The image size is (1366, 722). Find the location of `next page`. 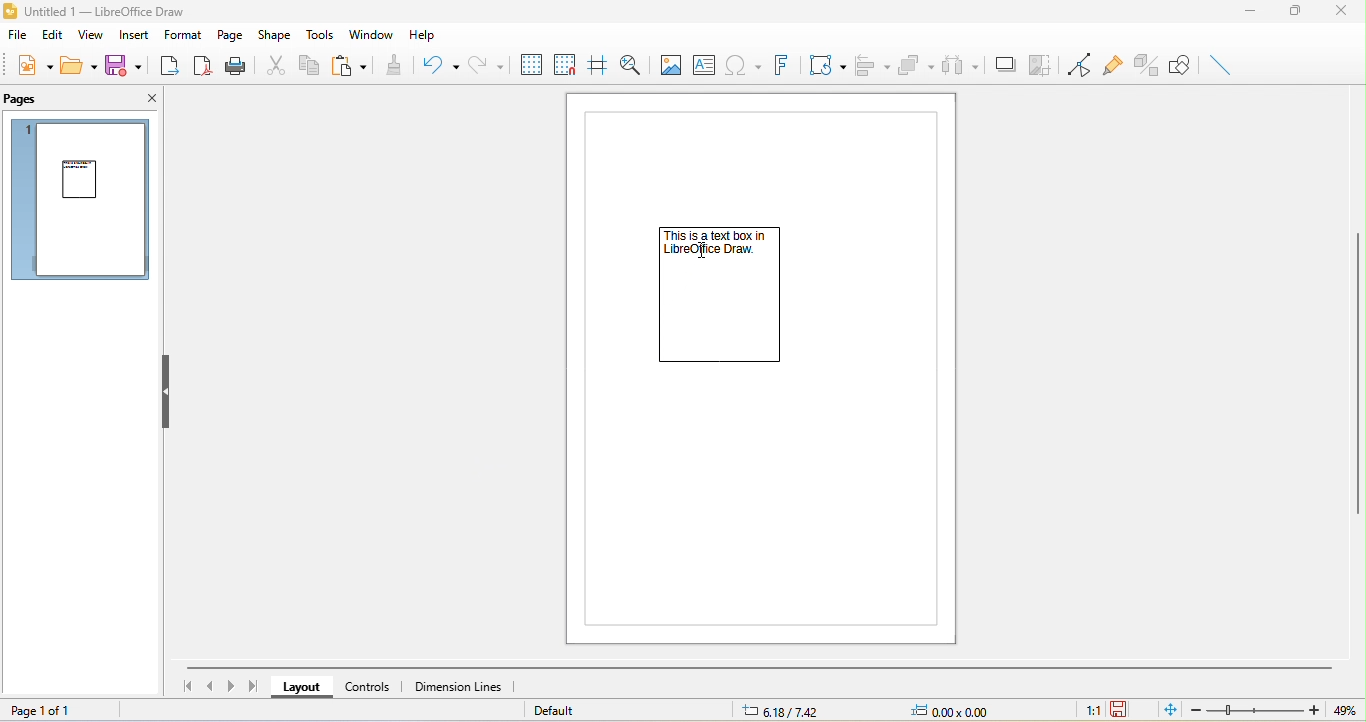

next page is located at coordinates (231, 686).